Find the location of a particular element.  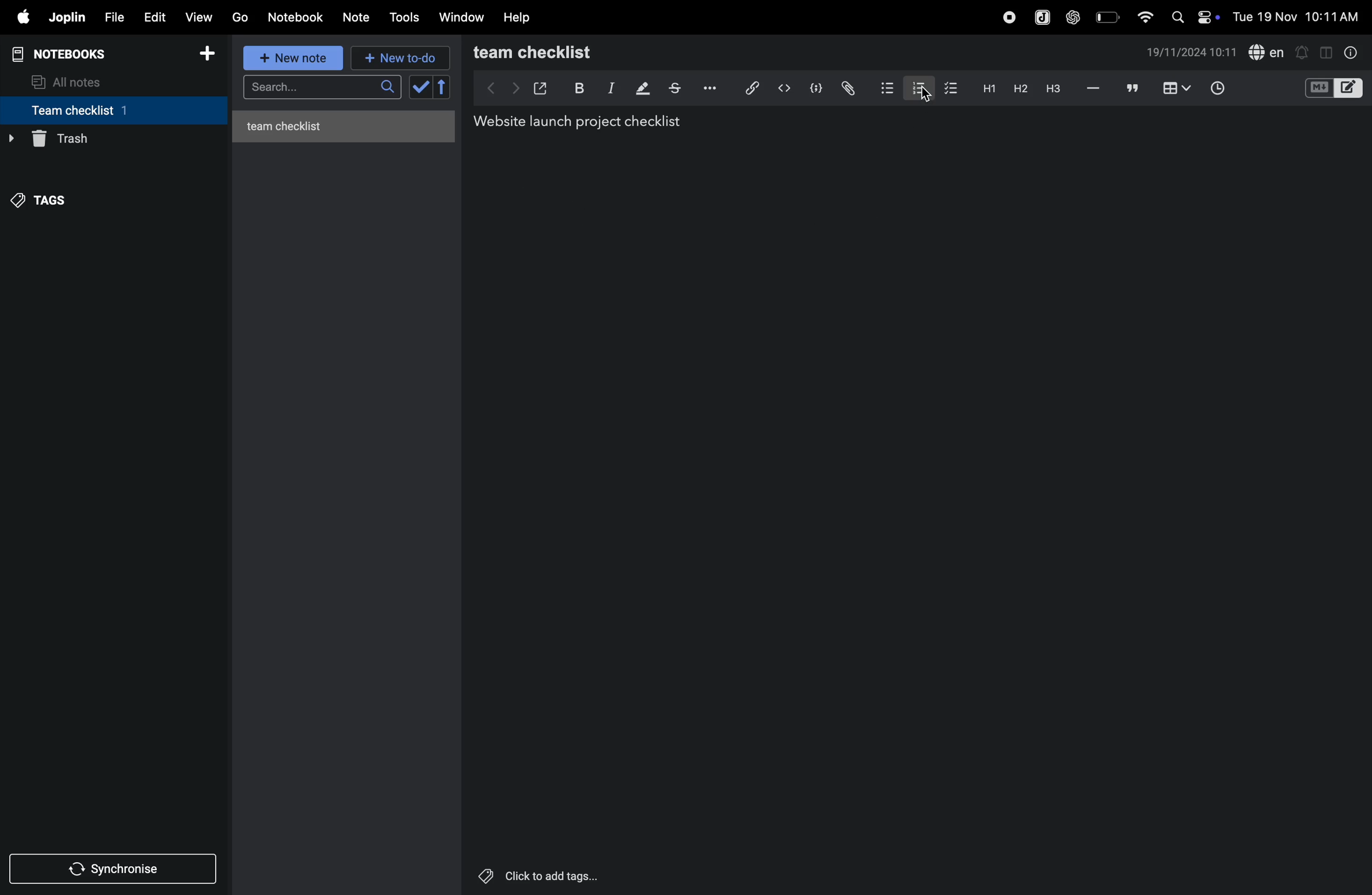

M+ is located at coordinates (1318, 88).